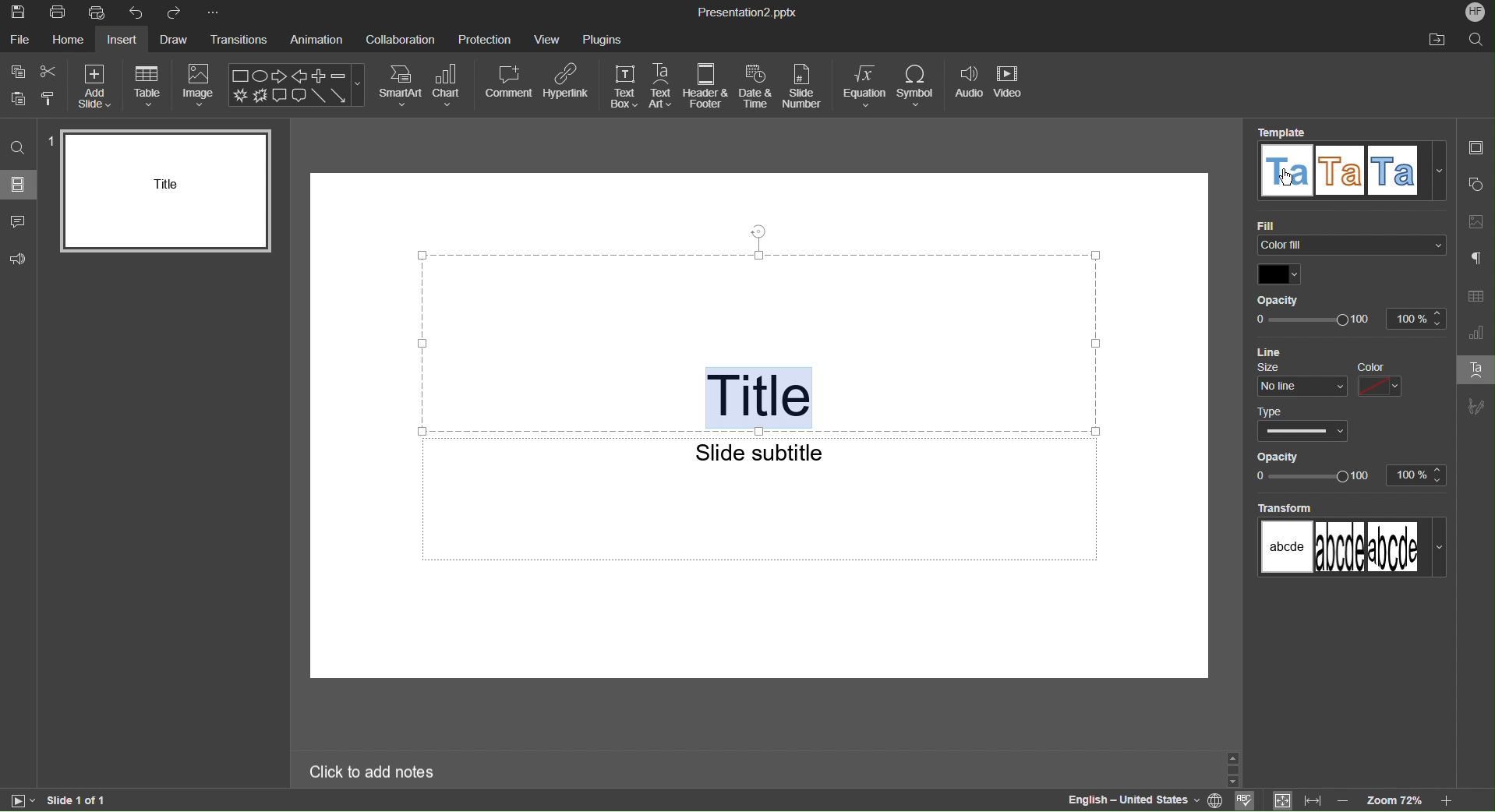 The width and height of the screenshot is (1495, 812). I want to click on Plugins, so click(603, 38).